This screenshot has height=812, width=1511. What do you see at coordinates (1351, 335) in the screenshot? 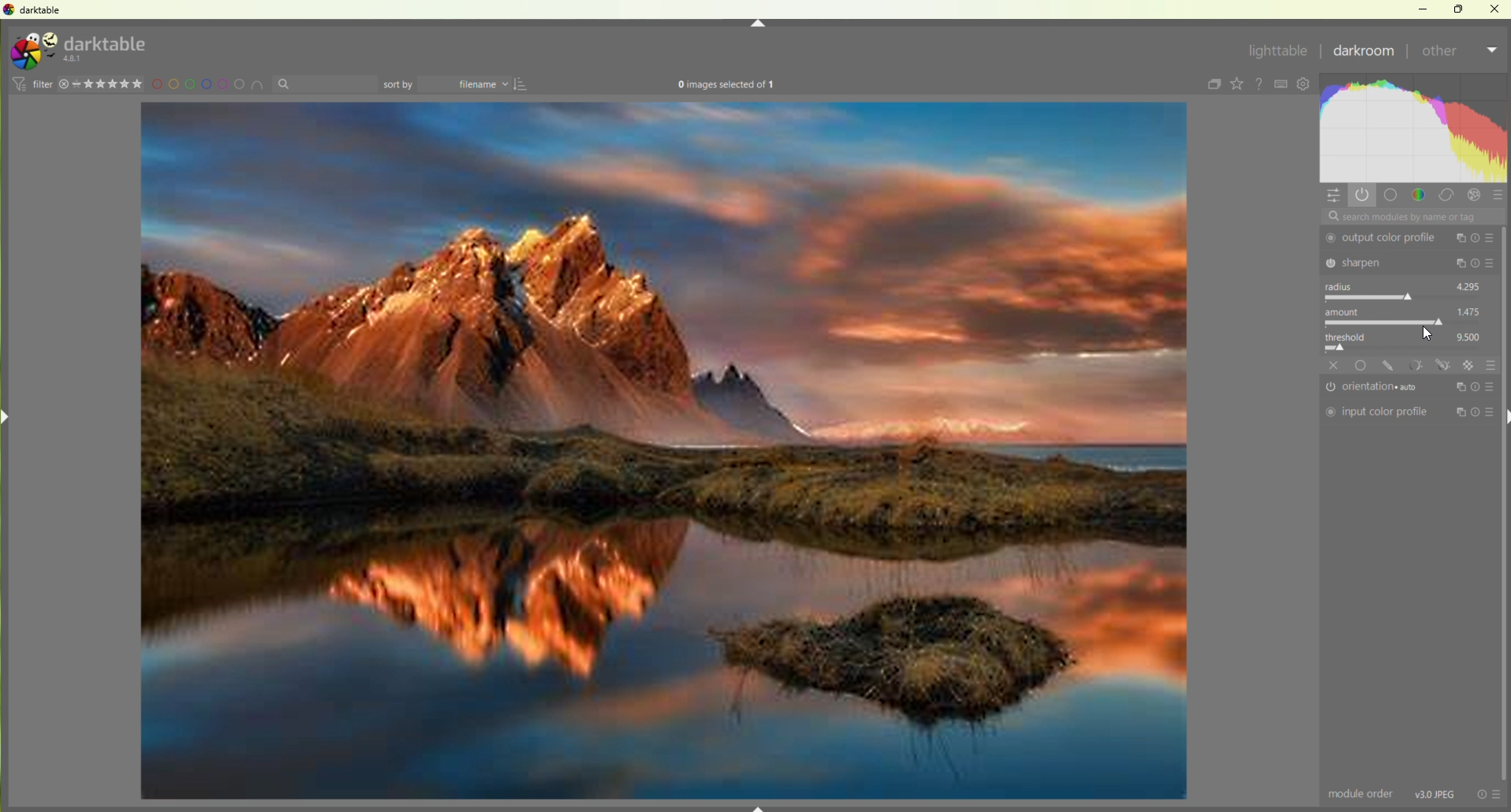
I see `threshold` at bounding box center [1351, 335].